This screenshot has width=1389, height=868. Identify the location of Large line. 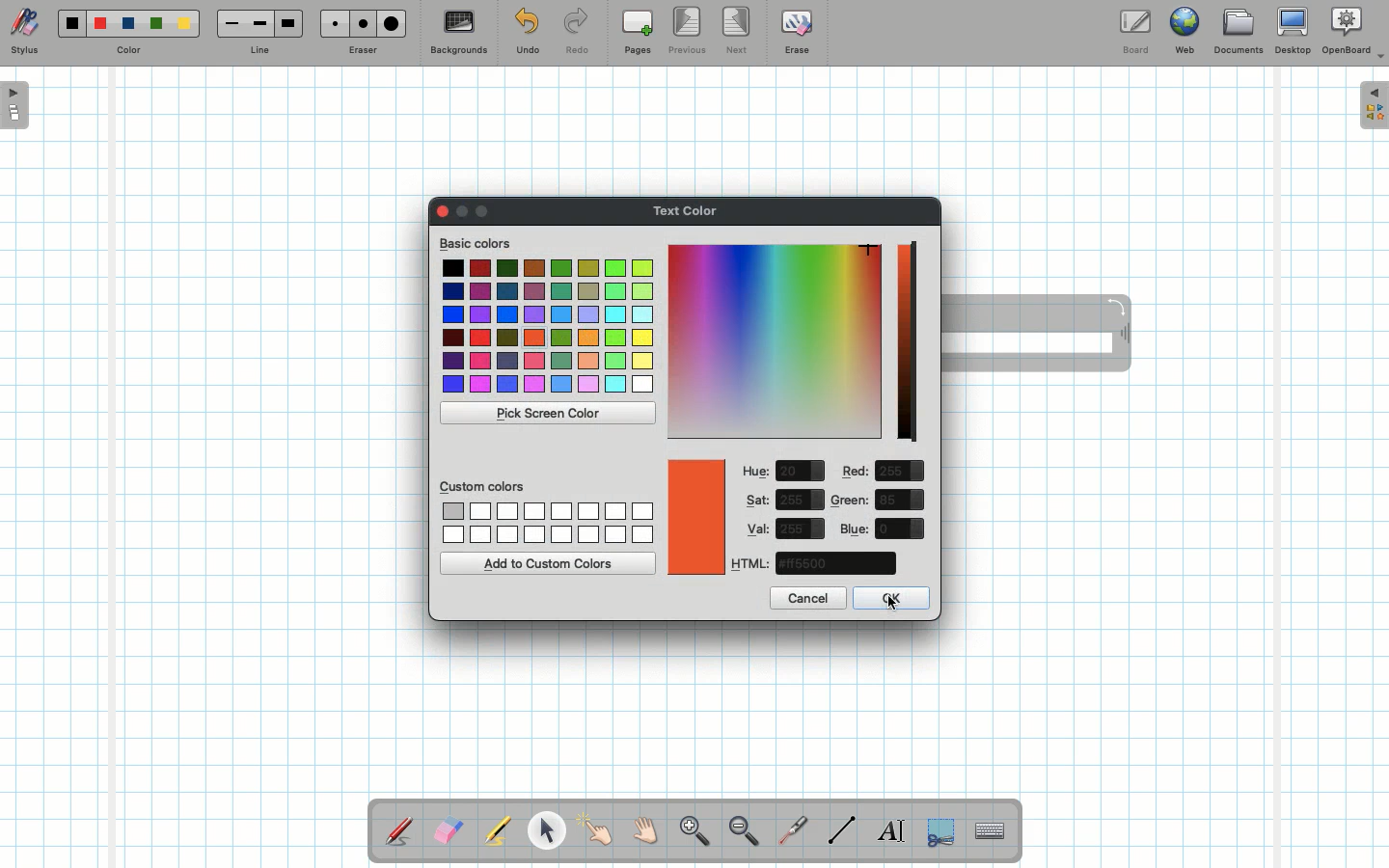
(289, 23).